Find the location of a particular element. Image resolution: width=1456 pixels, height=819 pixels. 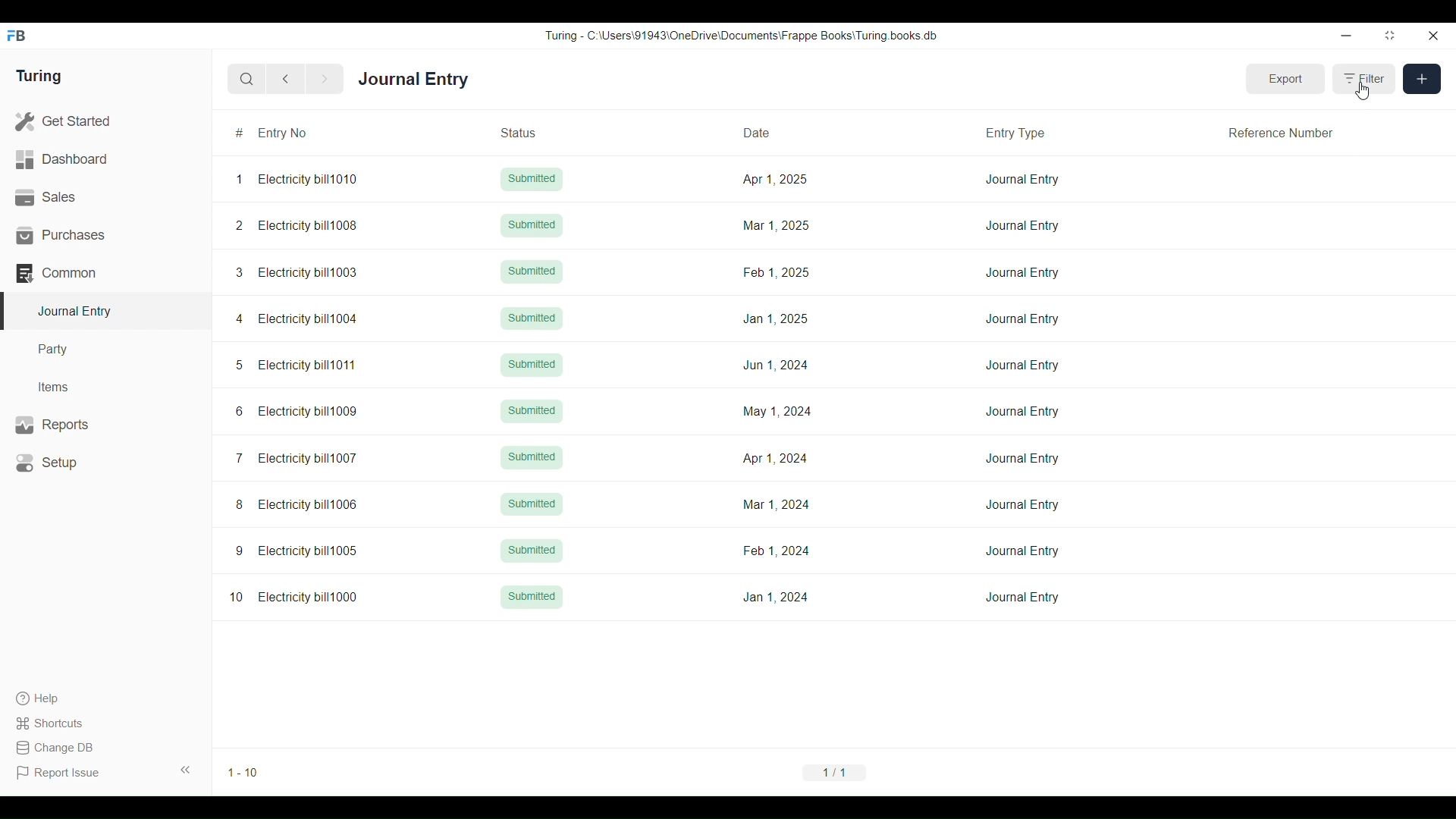

Reference Number is located at coordinates (1281, 132).